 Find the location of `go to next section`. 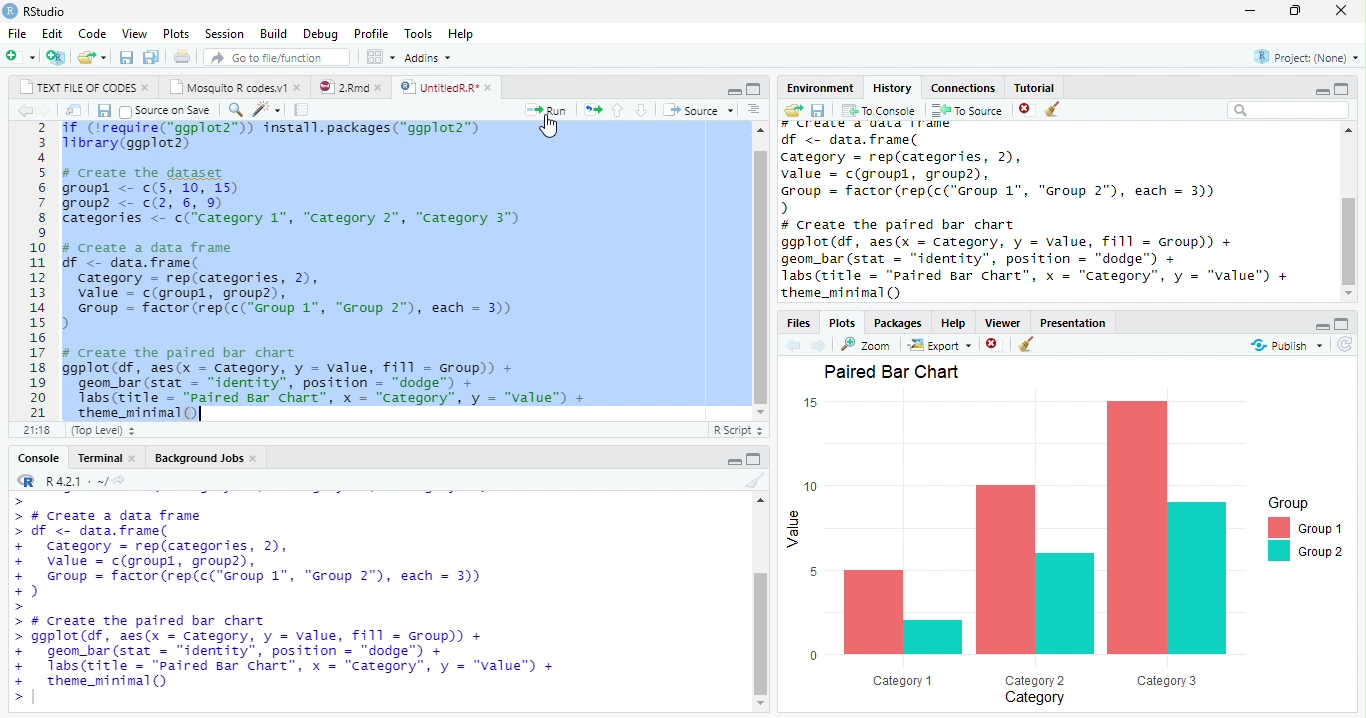

go to next section is located at coordinates (642, 110).